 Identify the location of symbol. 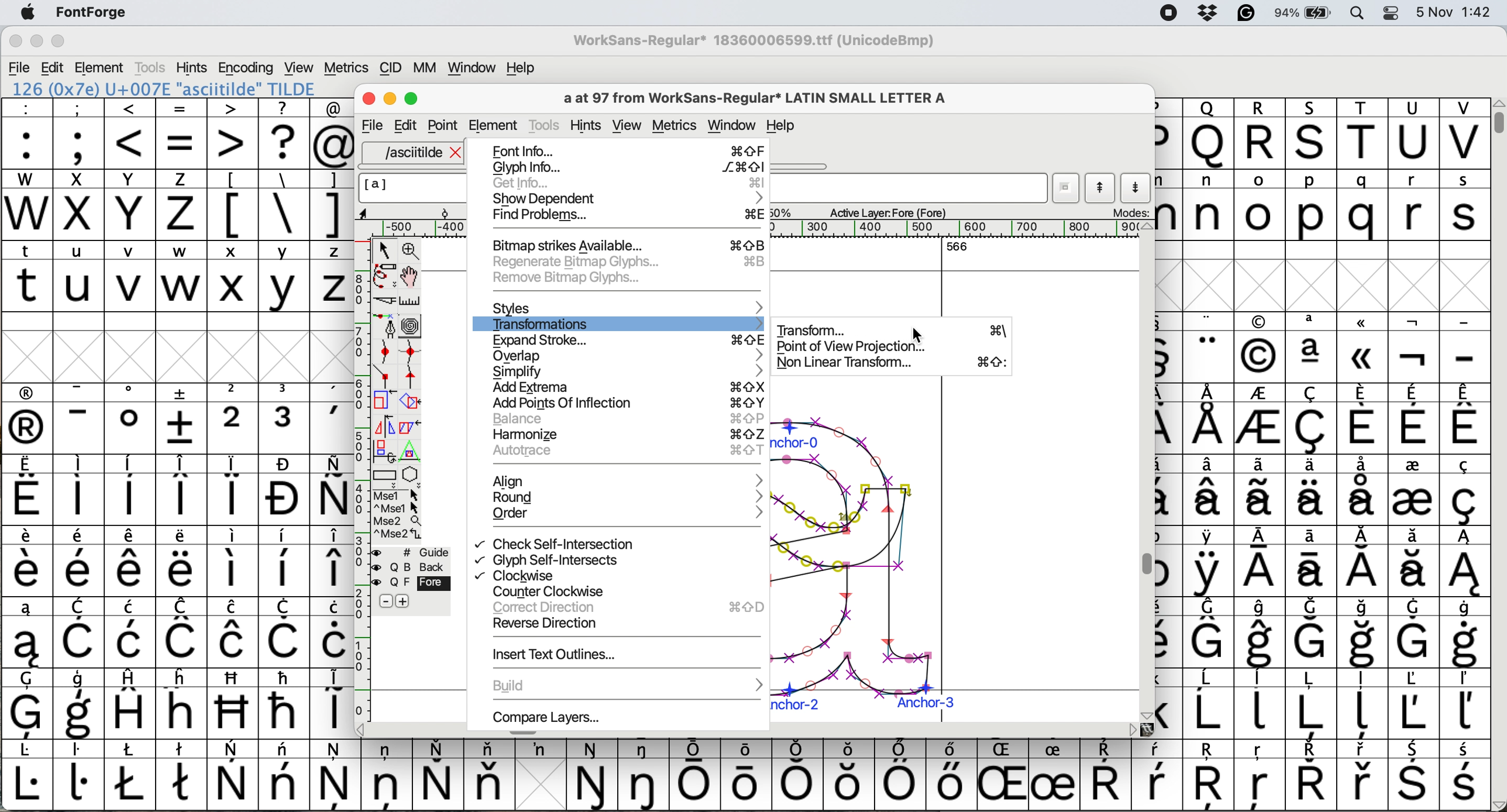
(232, 632).